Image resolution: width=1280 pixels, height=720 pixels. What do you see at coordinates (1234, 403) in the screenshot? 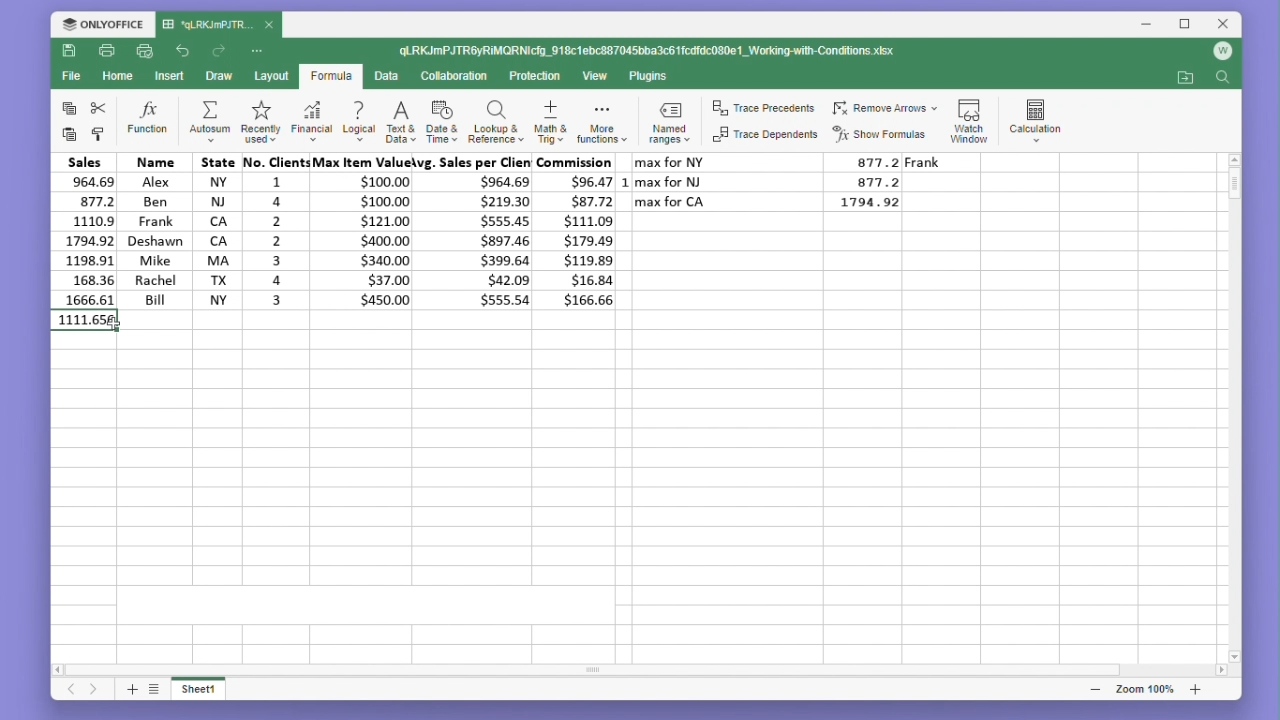
I see `Vertical scroll bar` at bounding box center [1234, 403].